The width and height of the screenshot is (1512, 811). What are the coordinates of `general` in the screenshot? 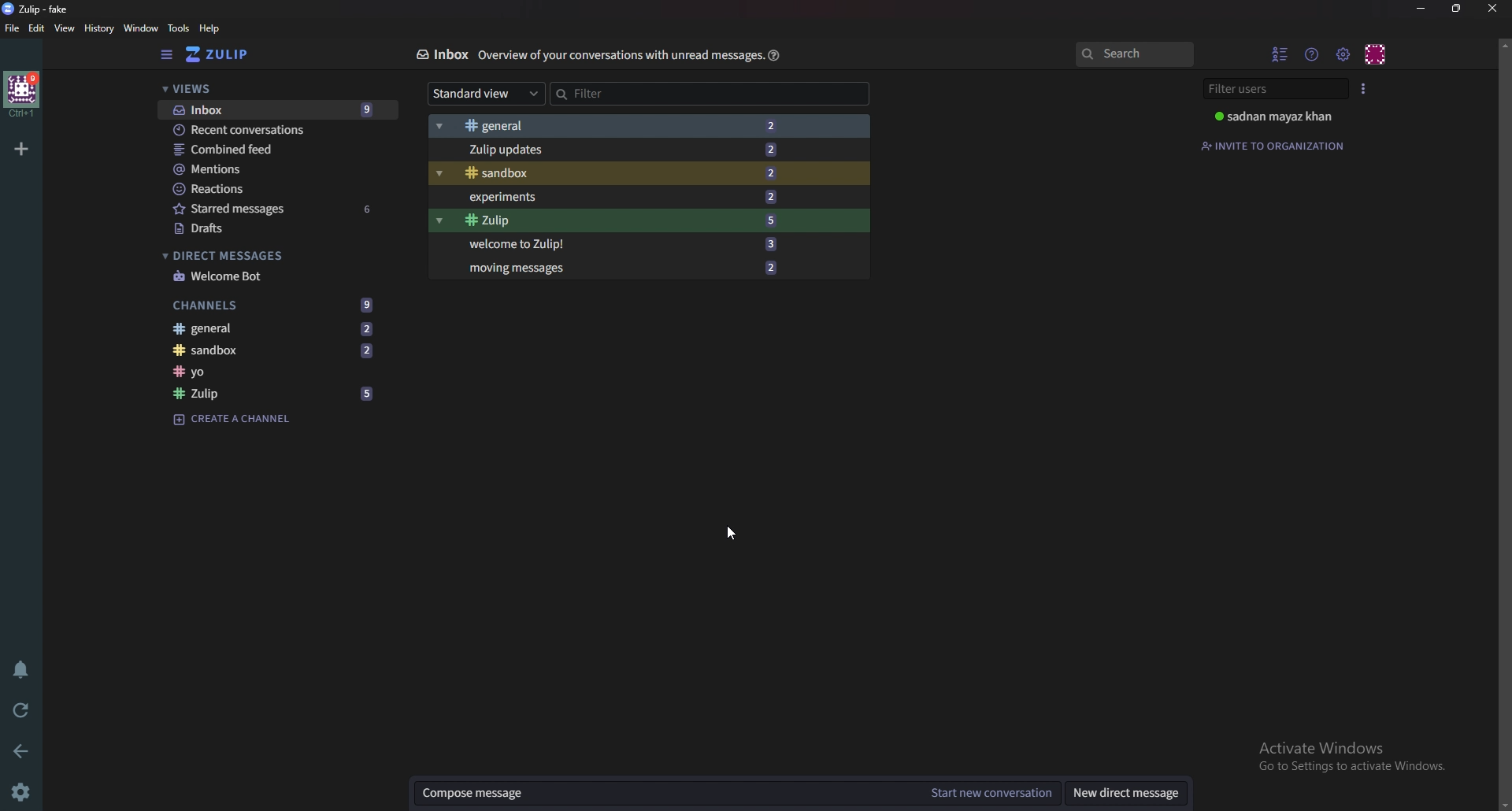 It's located at (621, 127).